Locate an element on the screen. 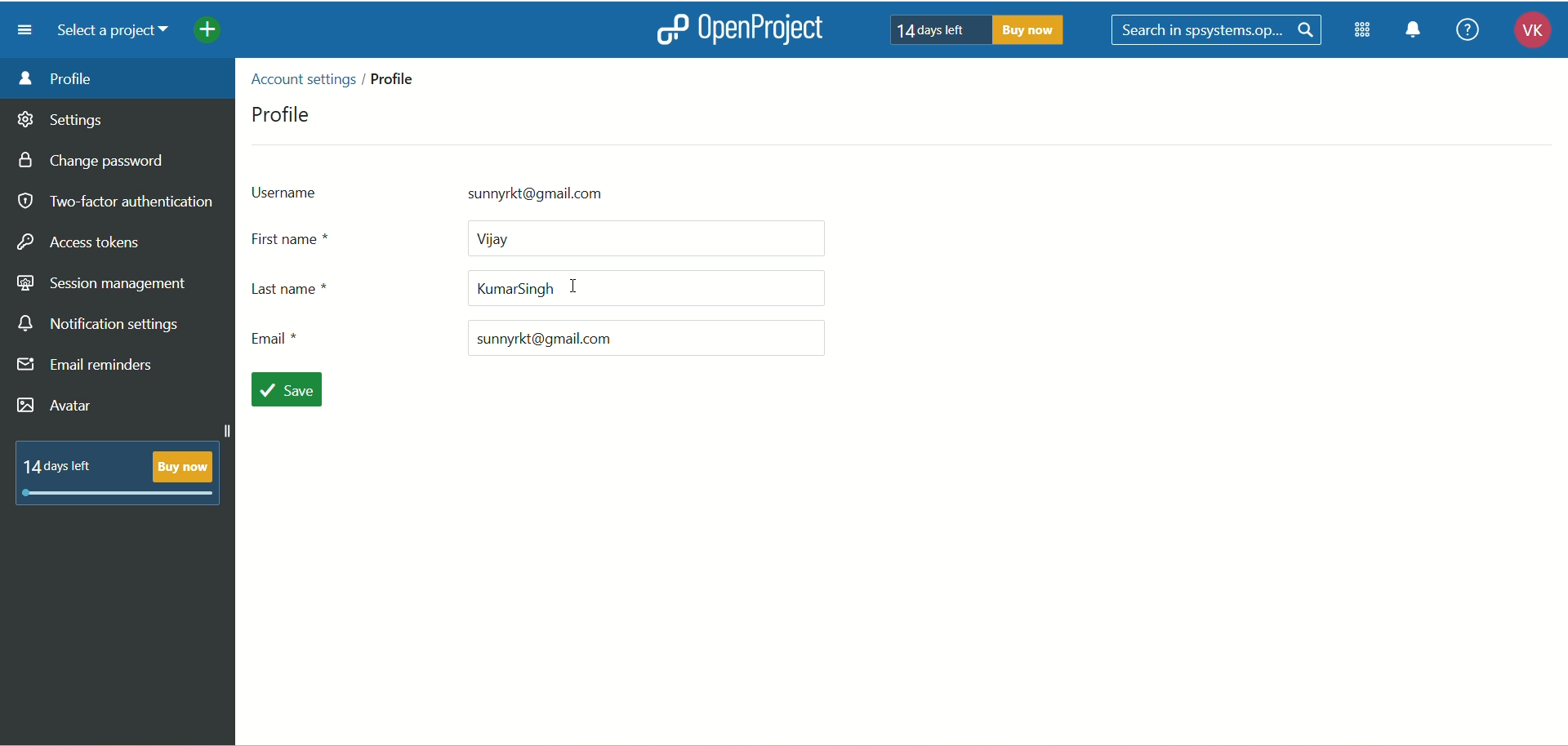 The width and height of the screenshot is (1568, 746). search is located at coordinates (1218, 30).